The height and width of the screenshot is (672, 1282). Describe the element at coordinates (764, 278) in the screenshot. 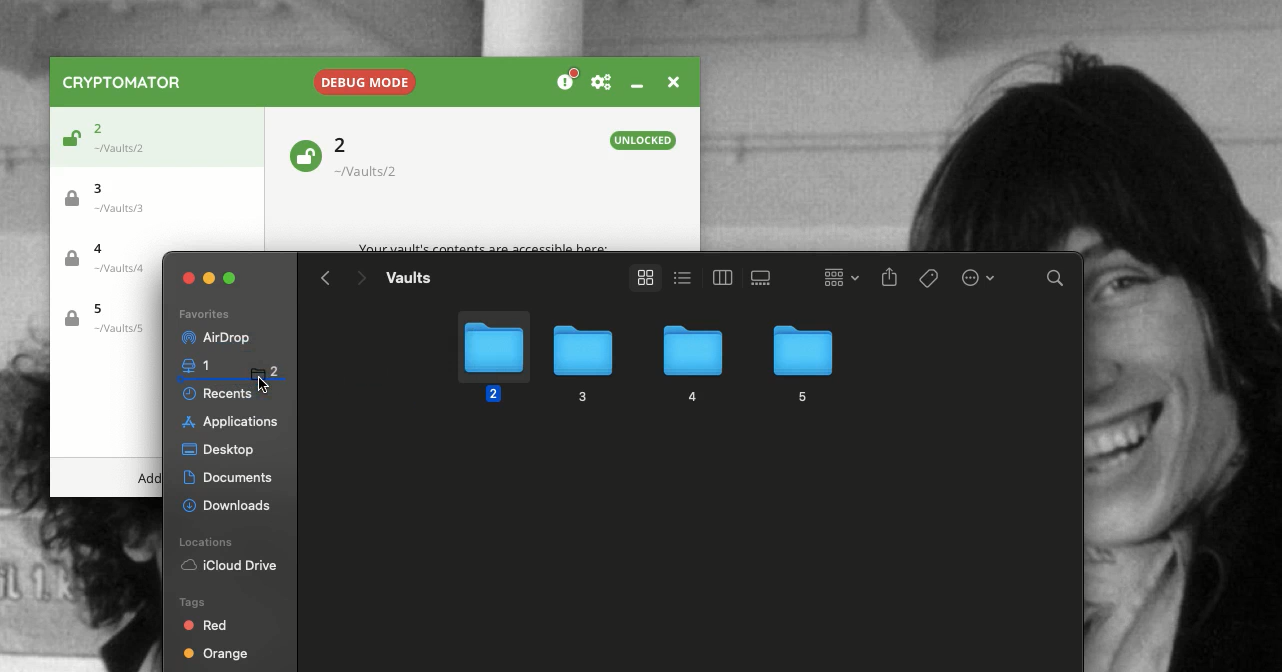

I see `View 3` at that location.